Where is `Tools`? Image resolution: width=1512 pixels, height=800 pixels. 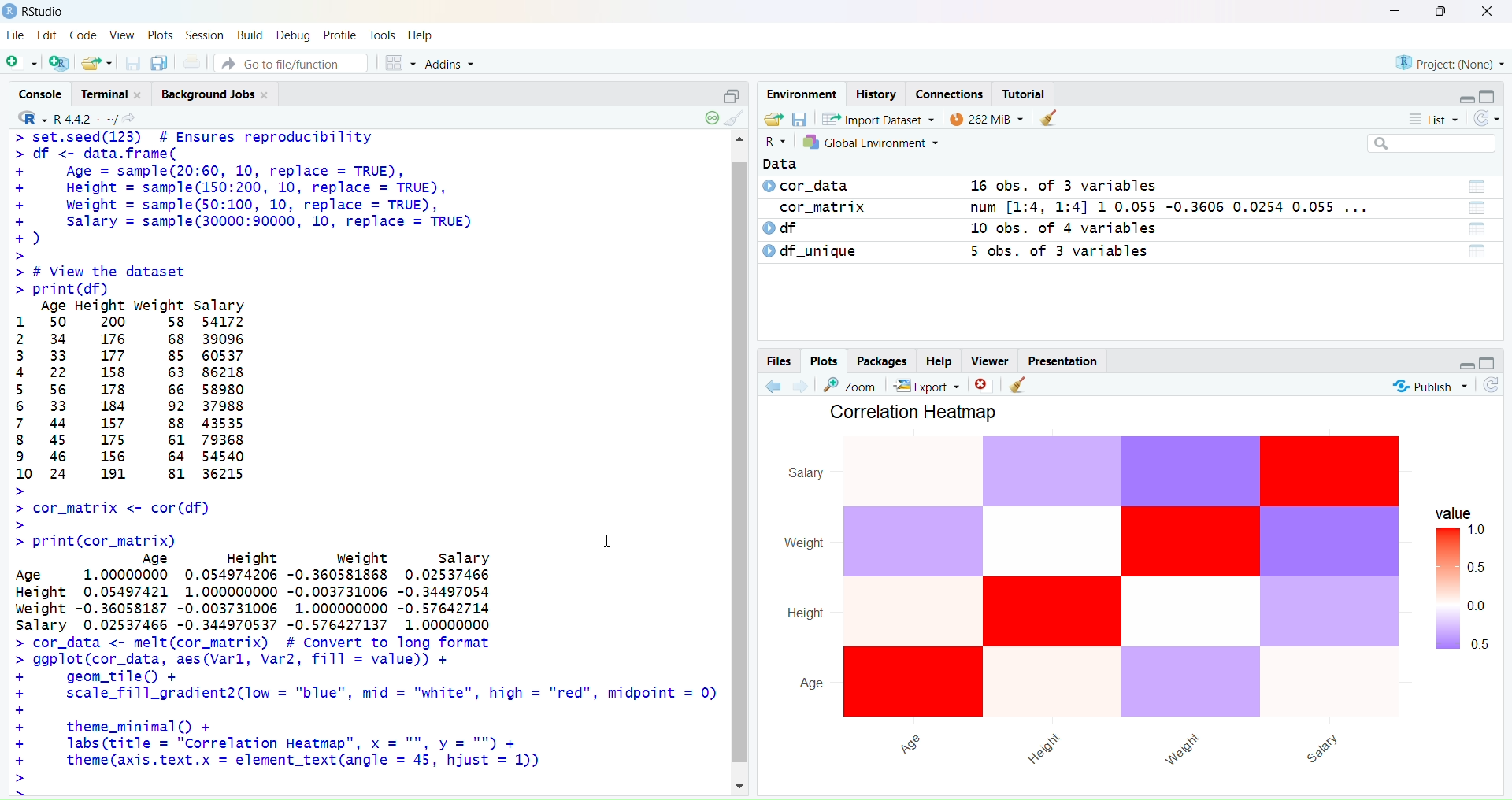
Tools is located at coordinates (381, 34).